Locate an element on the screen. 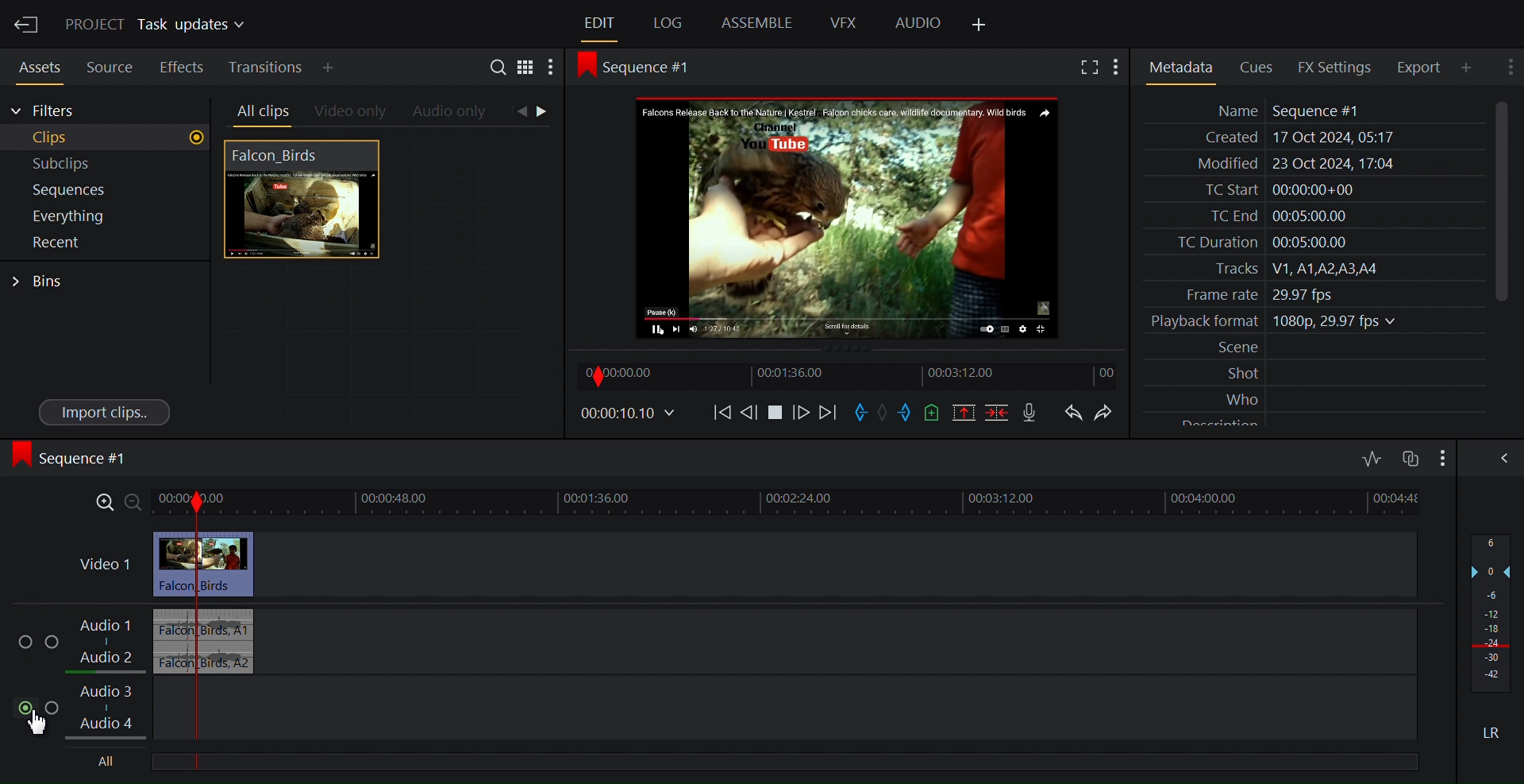 The height and width of the screenshot is (784, 1524). Sequence #1 is located at coordinates (645, 67).